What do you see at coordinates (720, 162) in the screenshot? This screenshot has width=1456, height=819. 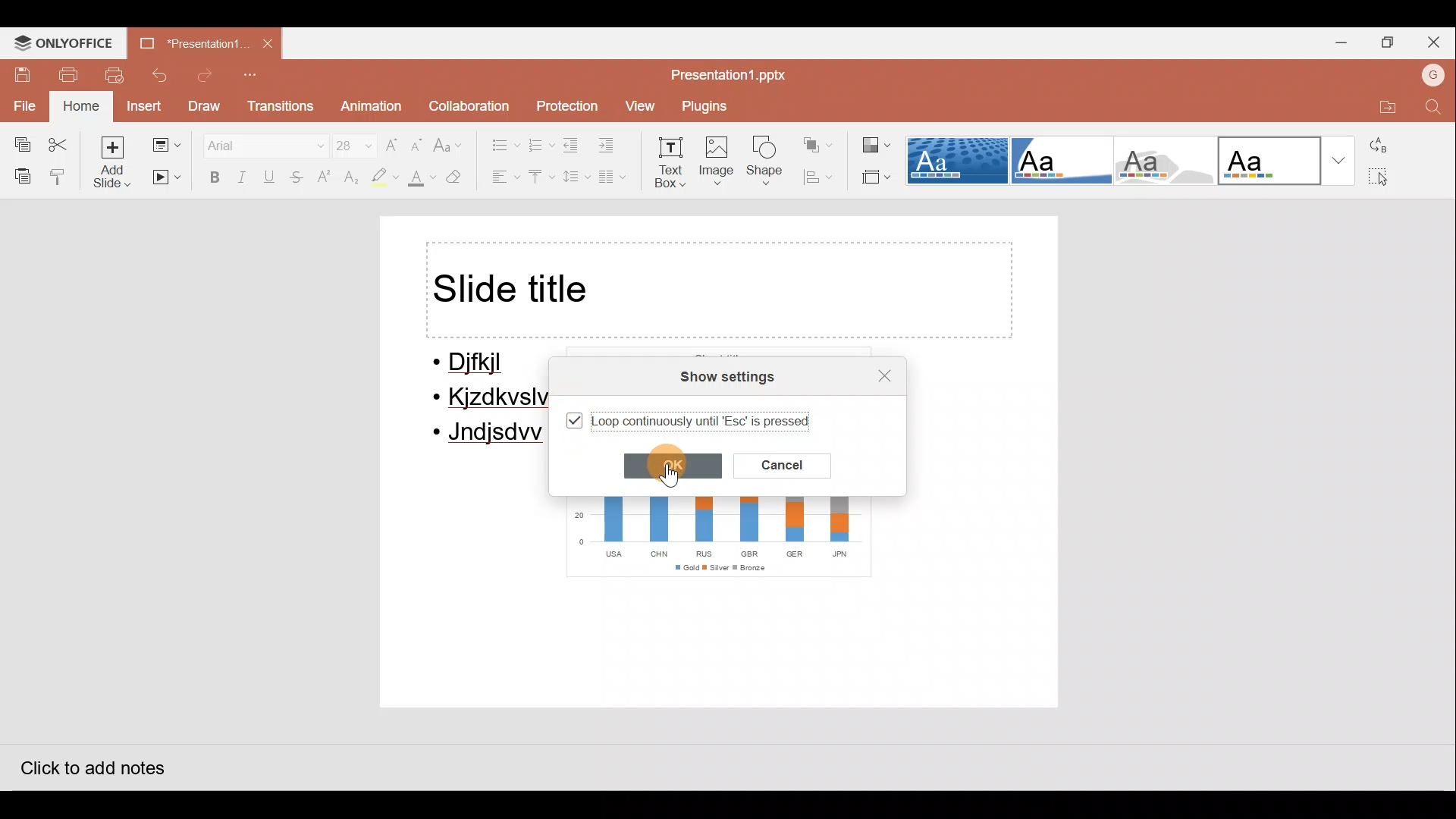 I see `Image` at bounding box center [720, 162].